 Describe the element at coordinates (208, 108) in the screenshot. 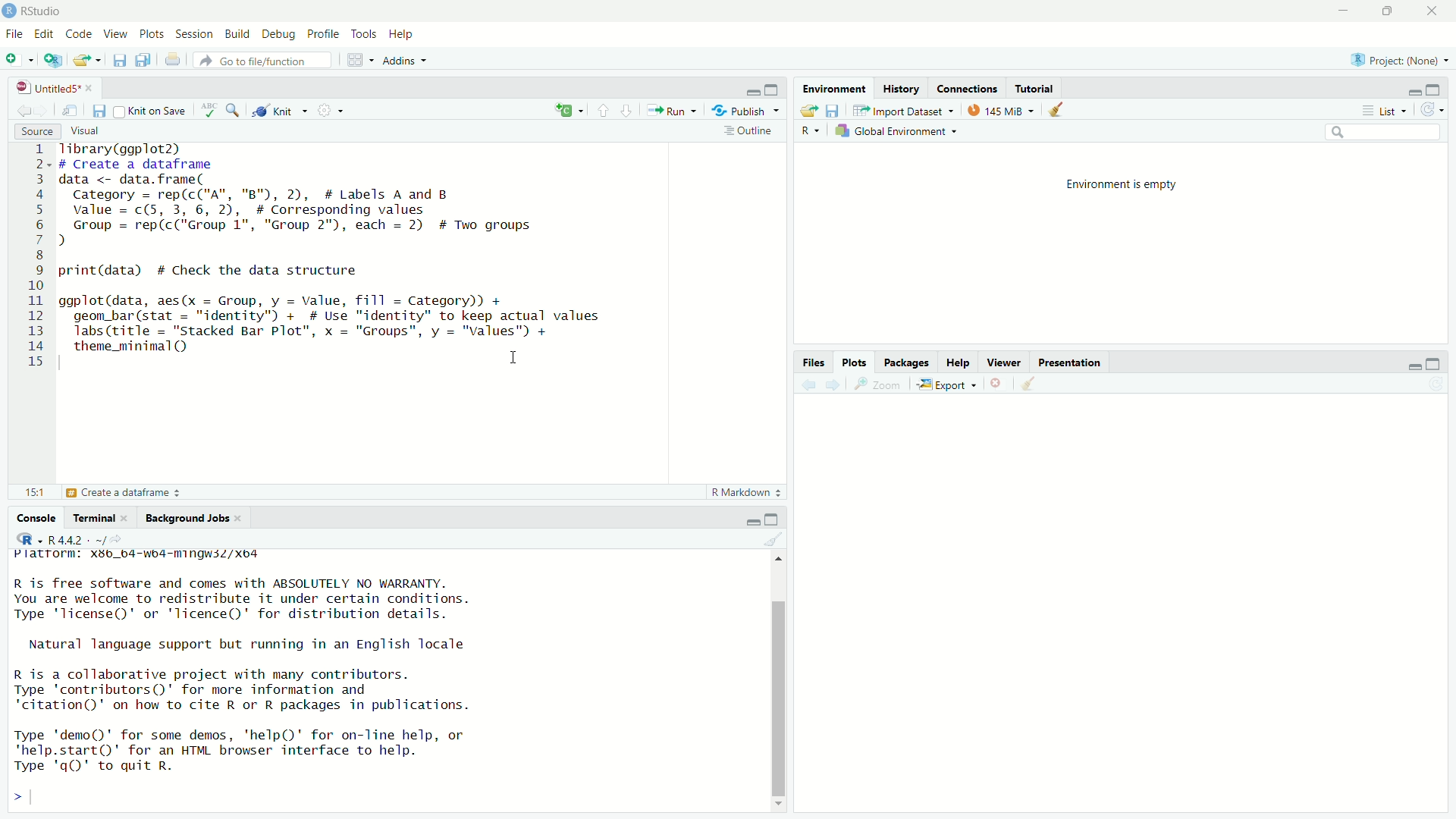

I see `Spell check` at that location.